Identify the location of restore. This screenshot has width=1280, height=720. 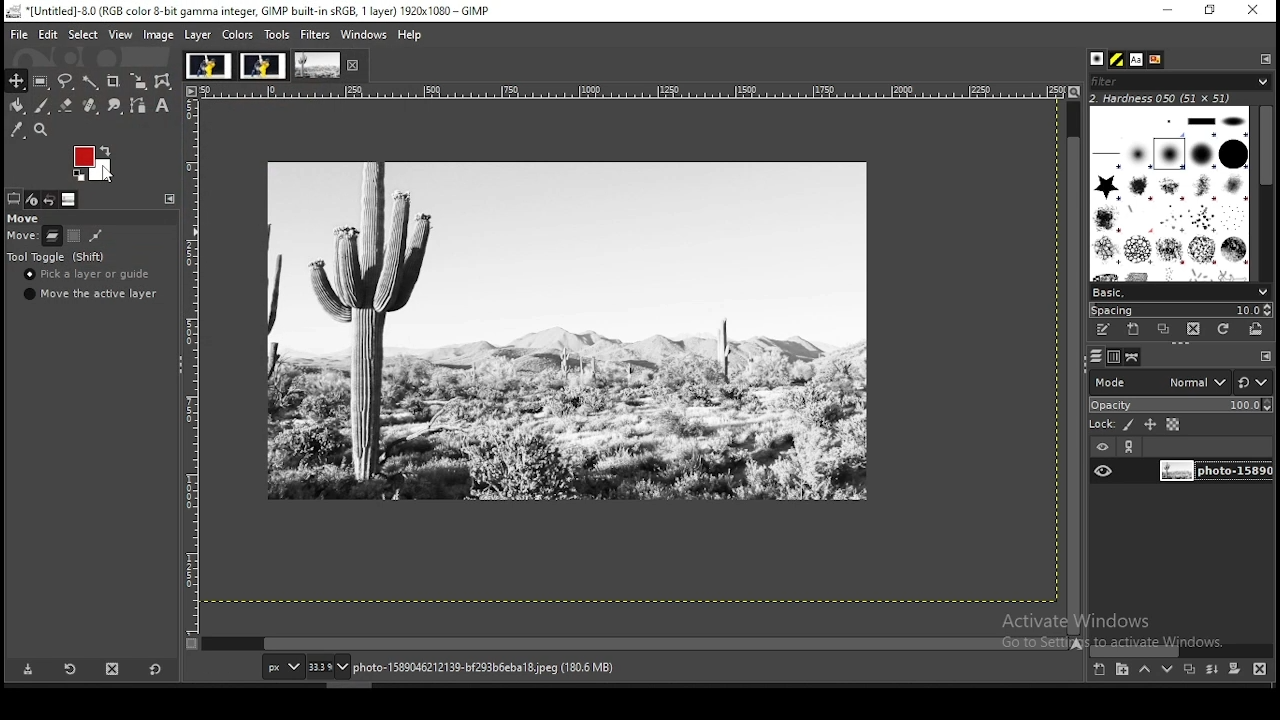
(1211, 10).